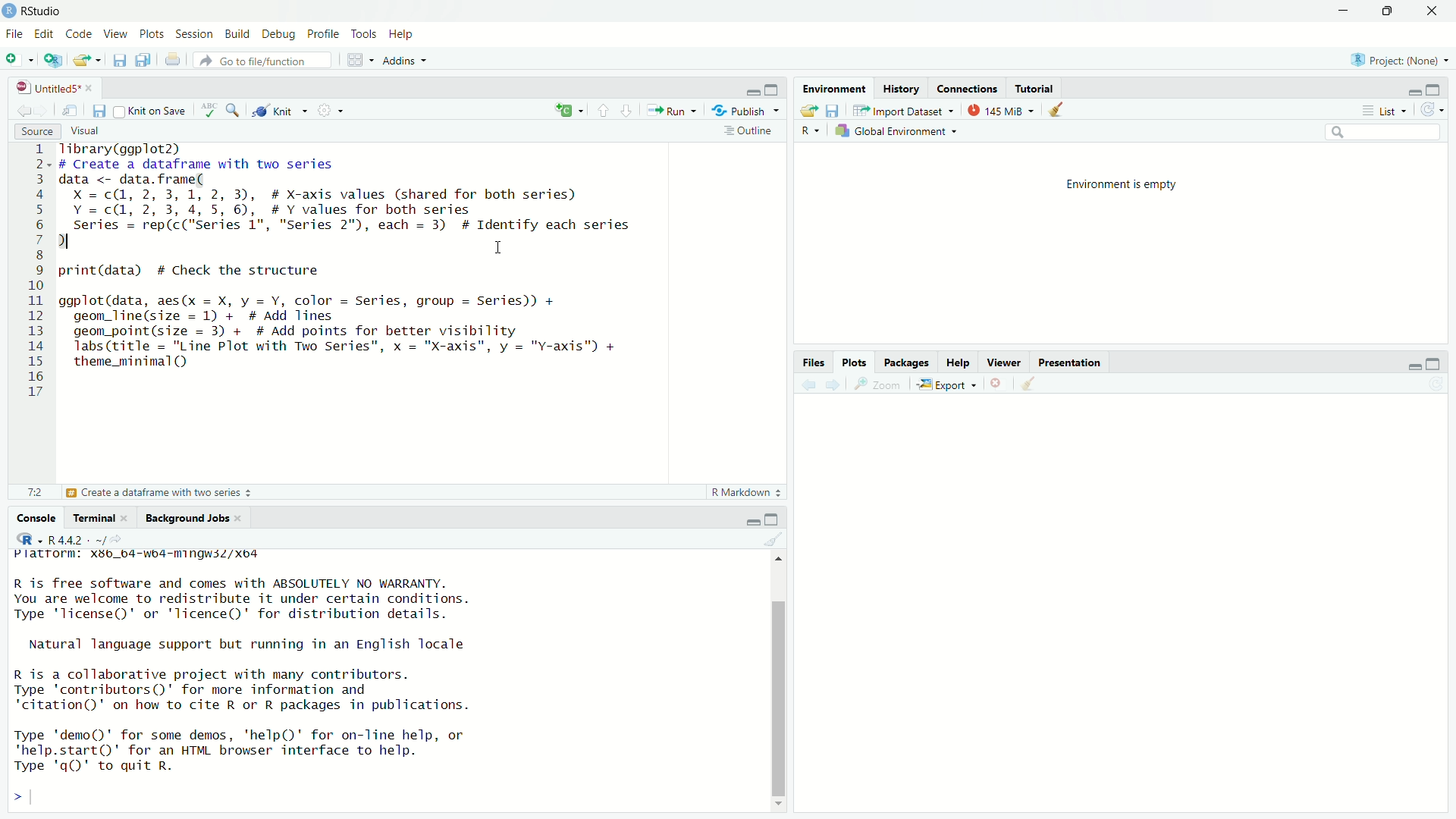 The width and height of the screenshot is (1456, 819). I want to click on Go to next section/chunk, so click(629, 112).